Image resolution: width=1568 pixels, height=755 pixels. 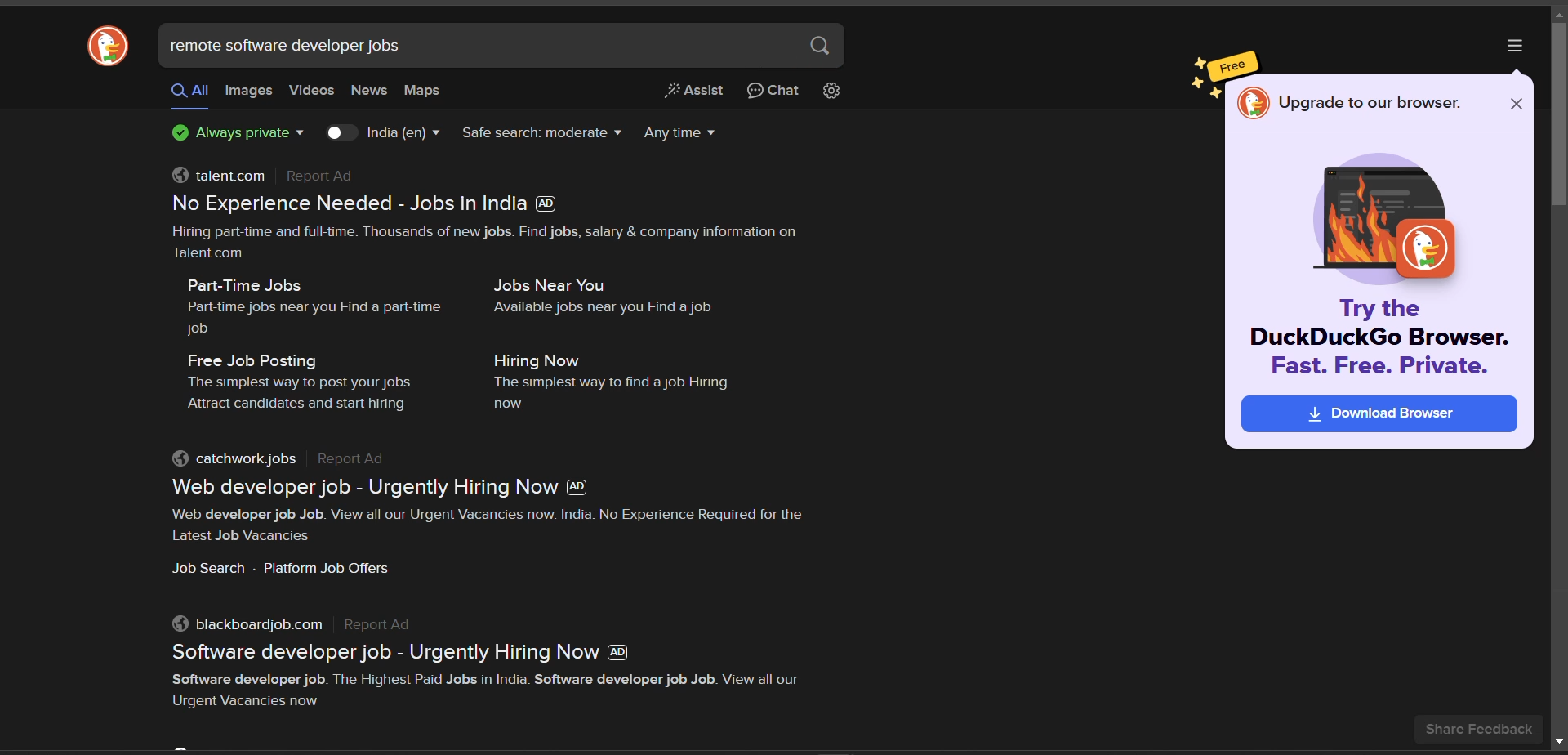 I want to click on search bar, so click(x=474, y=44).